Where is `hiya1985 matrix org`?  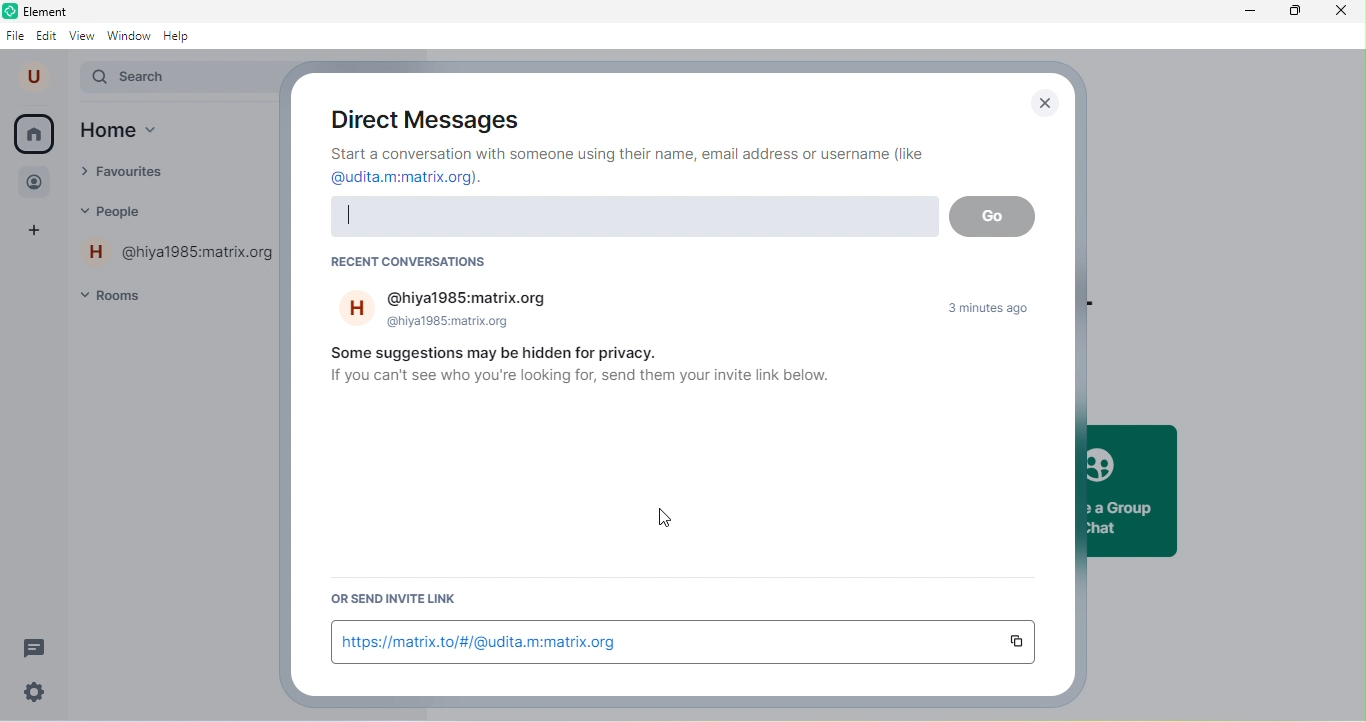 hiya1985 matrix org is located at coordinates (455, 310).